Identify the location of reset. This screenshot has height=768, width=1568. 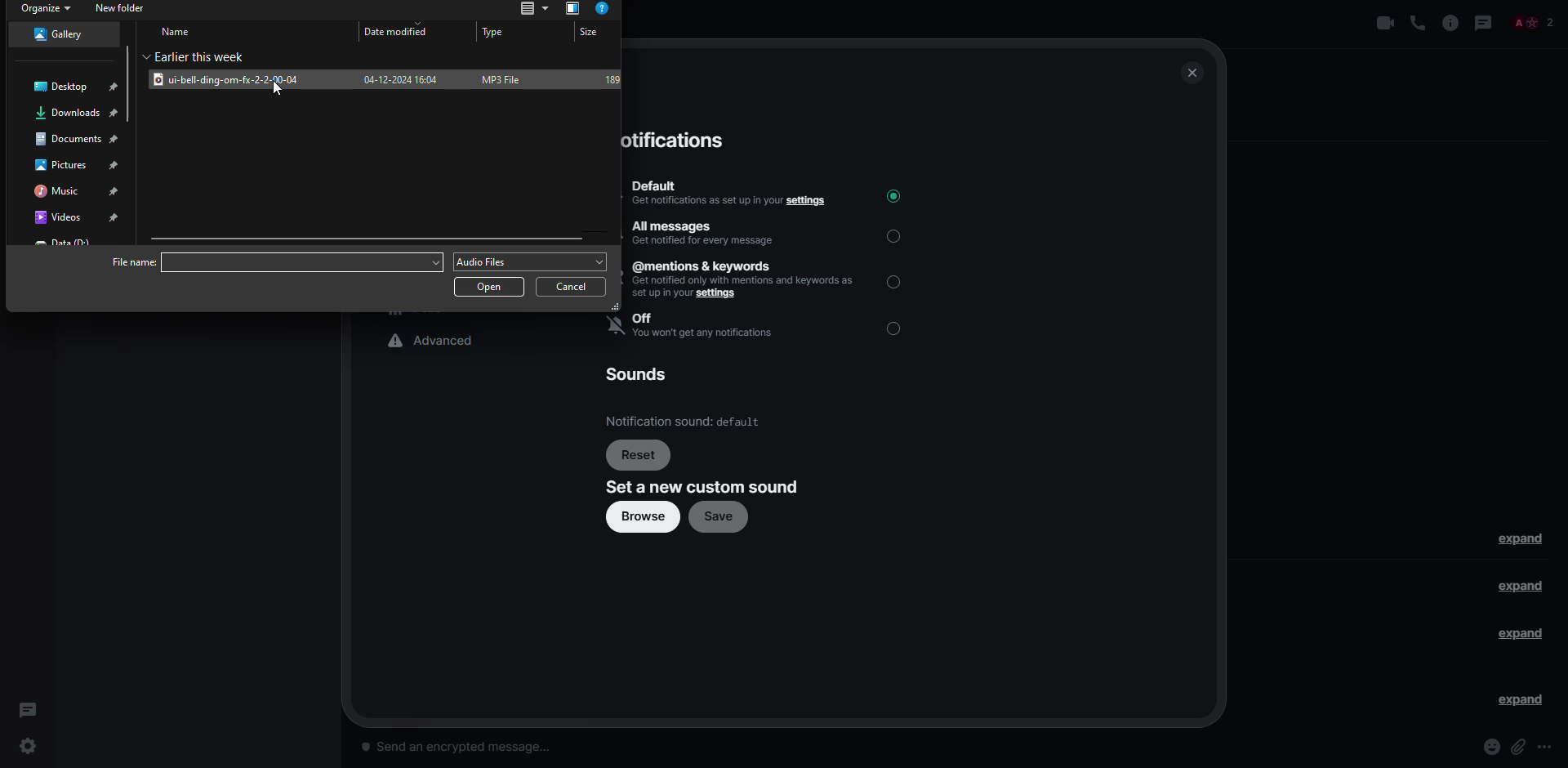
(639, 453).